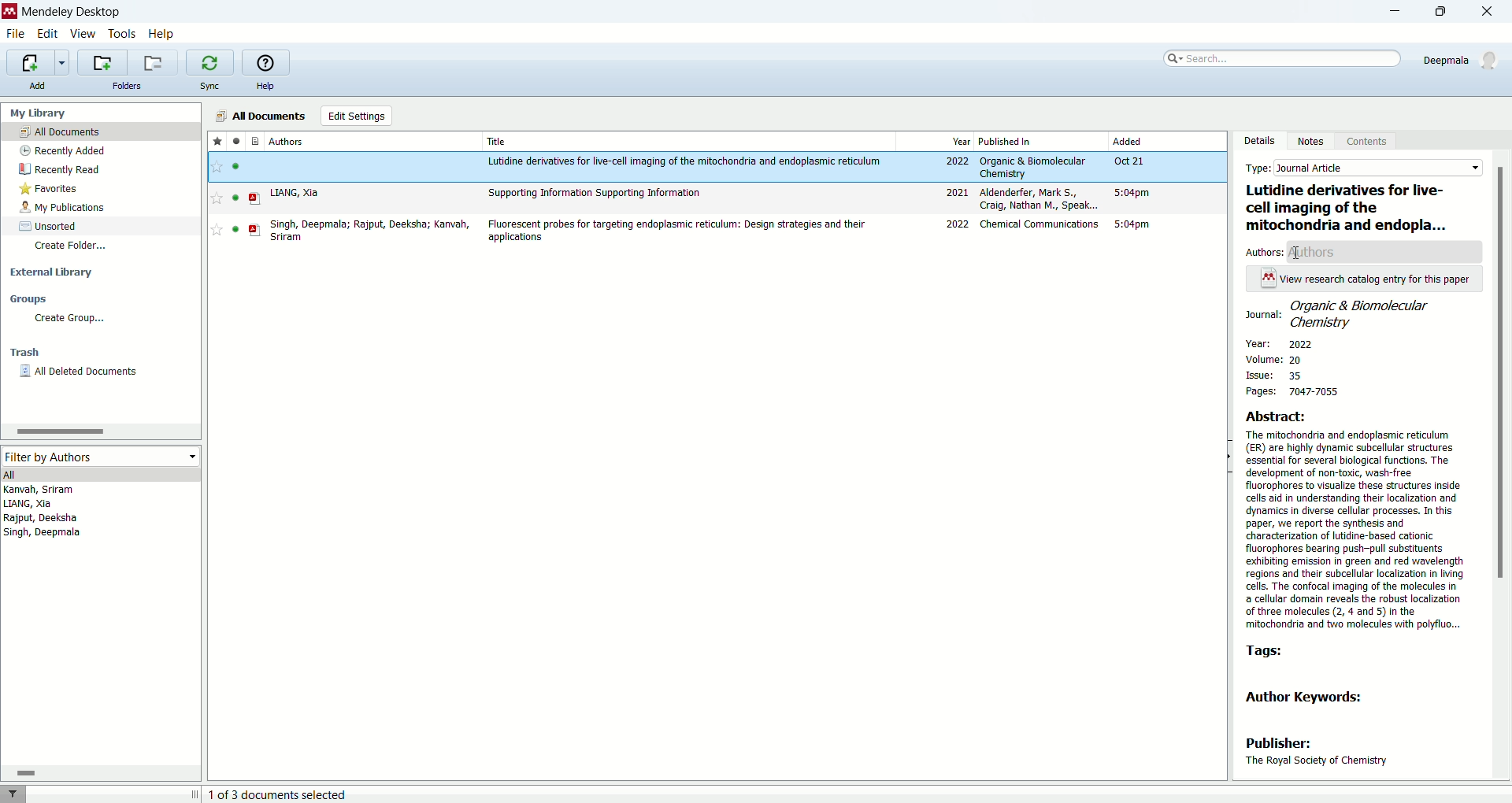 The image size is (1512, 803). What do you see at coordinates (1492, 11) in the screenshot?
I see `close` at bounding box center [1492, 11].